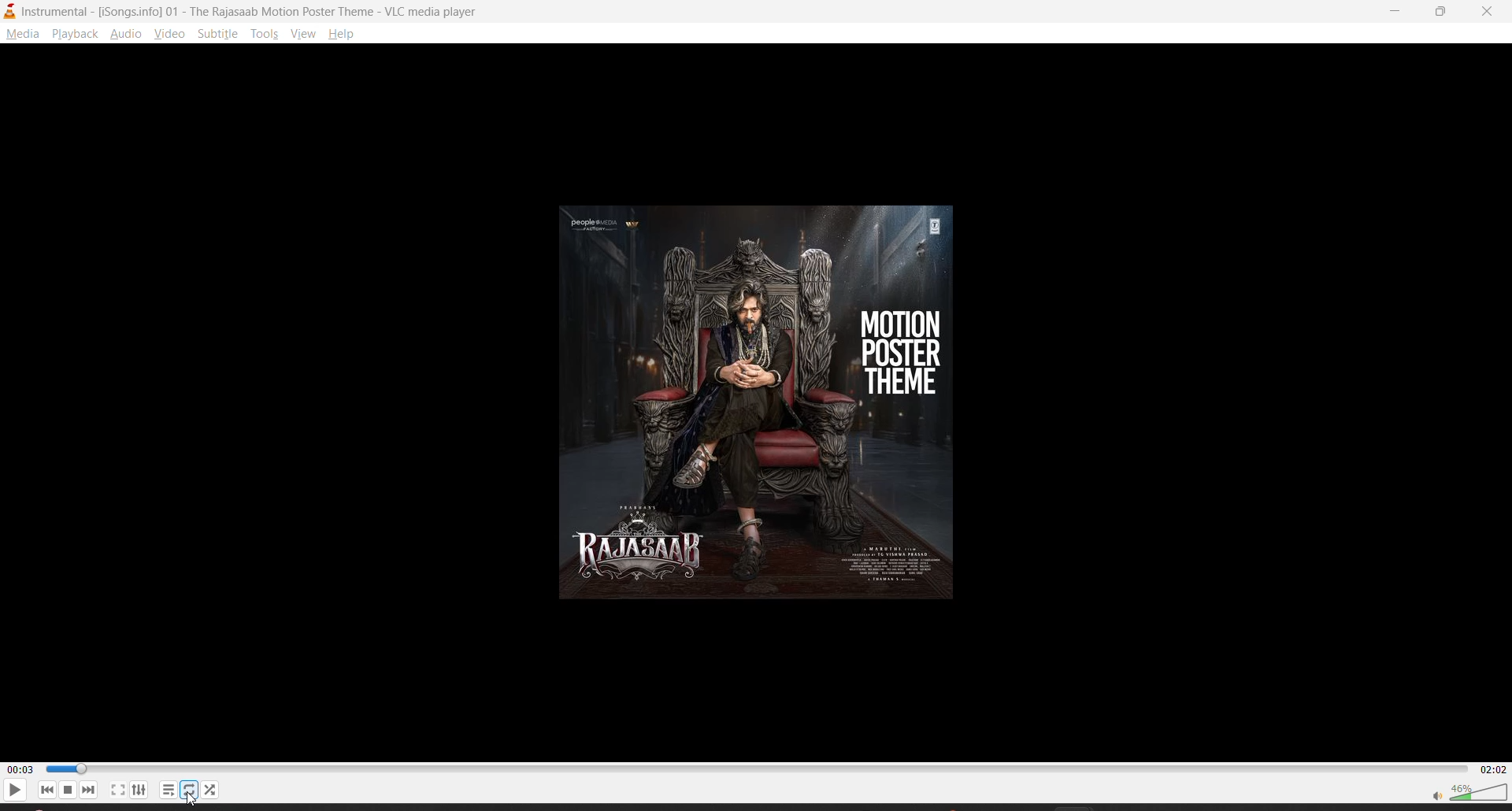 Image resolution: width=1512 pixels, height=811 pixels. I want to click on previous, so click(46, 791).